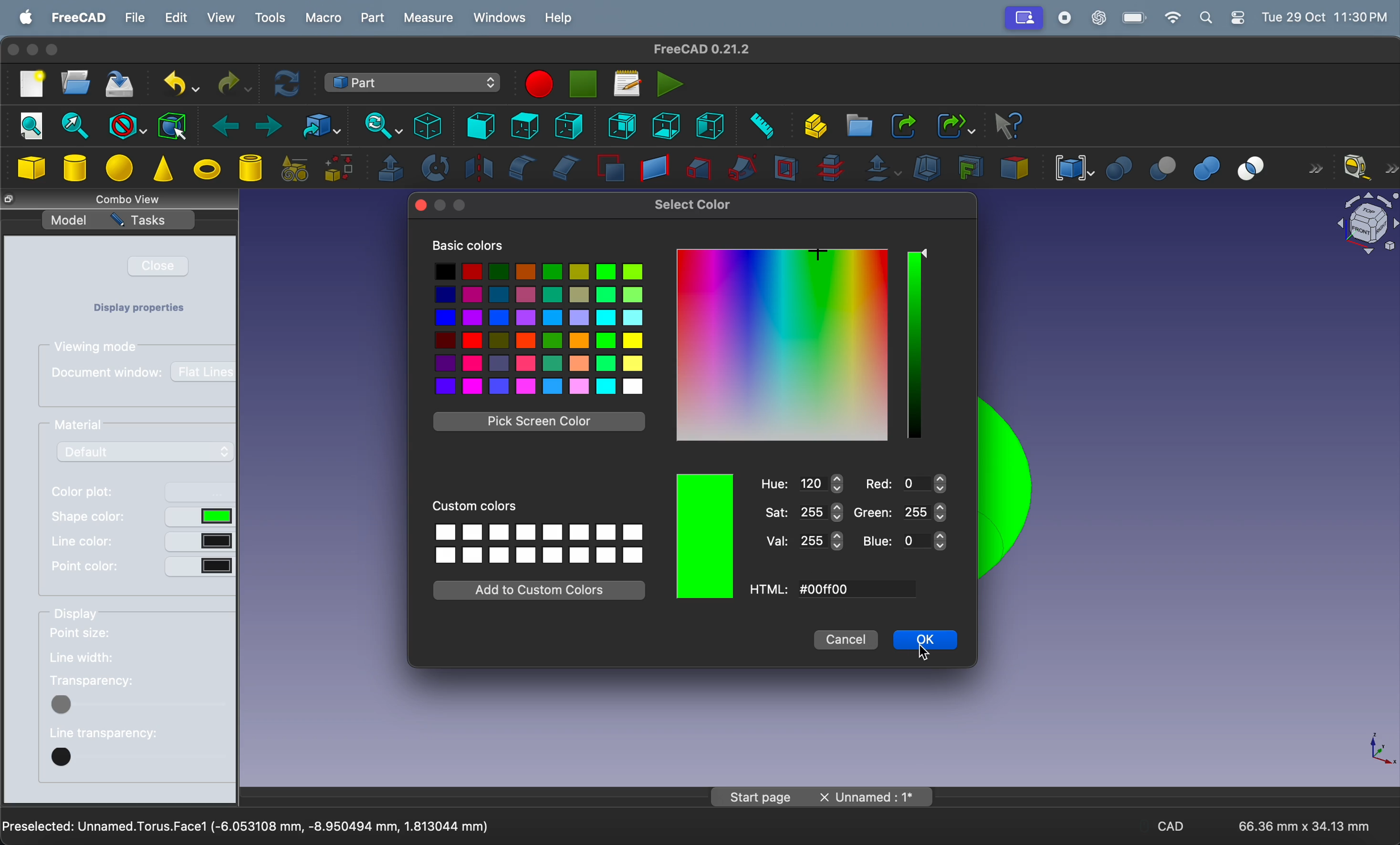 The width and height of the screenshot is (1400, 845). I want to click on create part, so click(811, 126).